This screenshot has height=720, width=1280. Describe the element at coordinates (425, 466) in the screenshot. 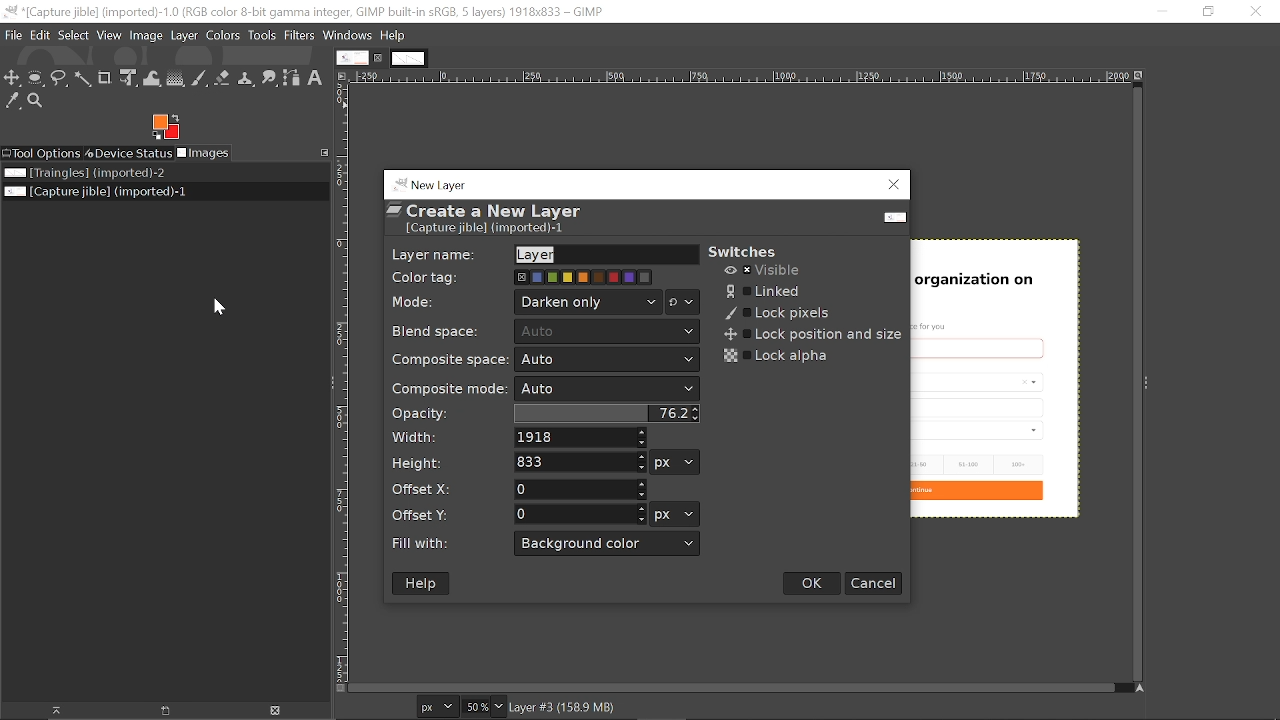

I see `Height:` at that location.